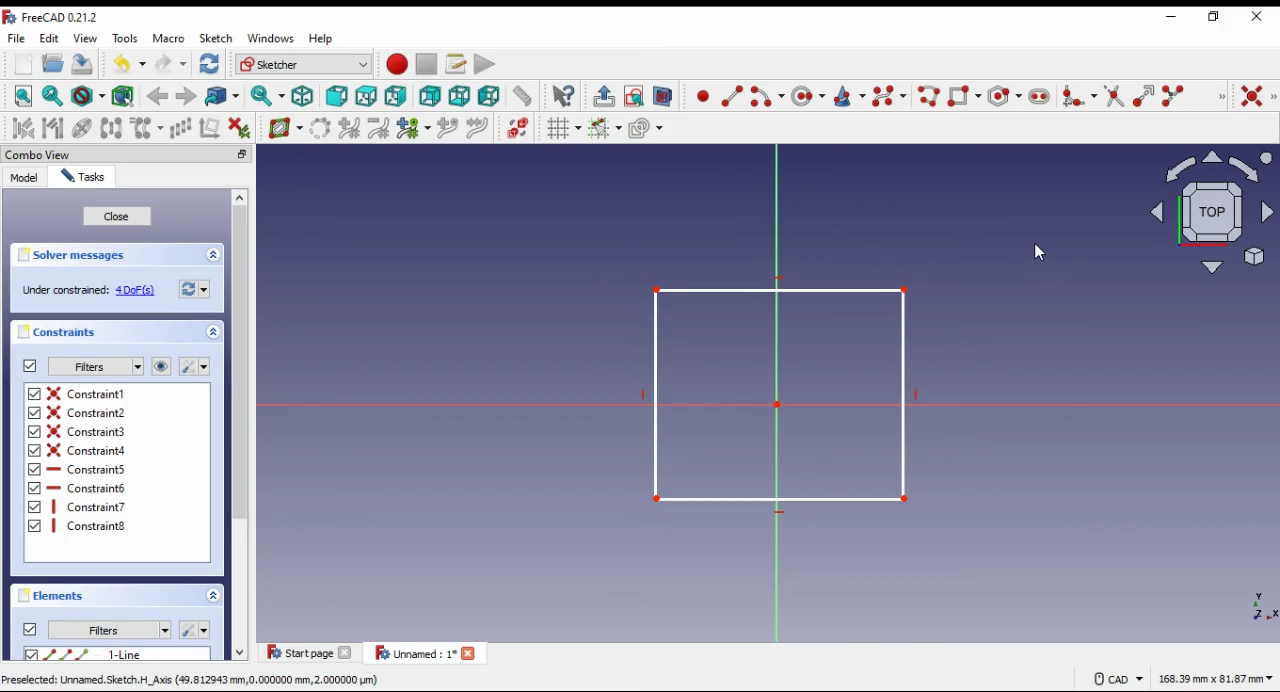  I want to click on trim edge, so click(1114, 95).